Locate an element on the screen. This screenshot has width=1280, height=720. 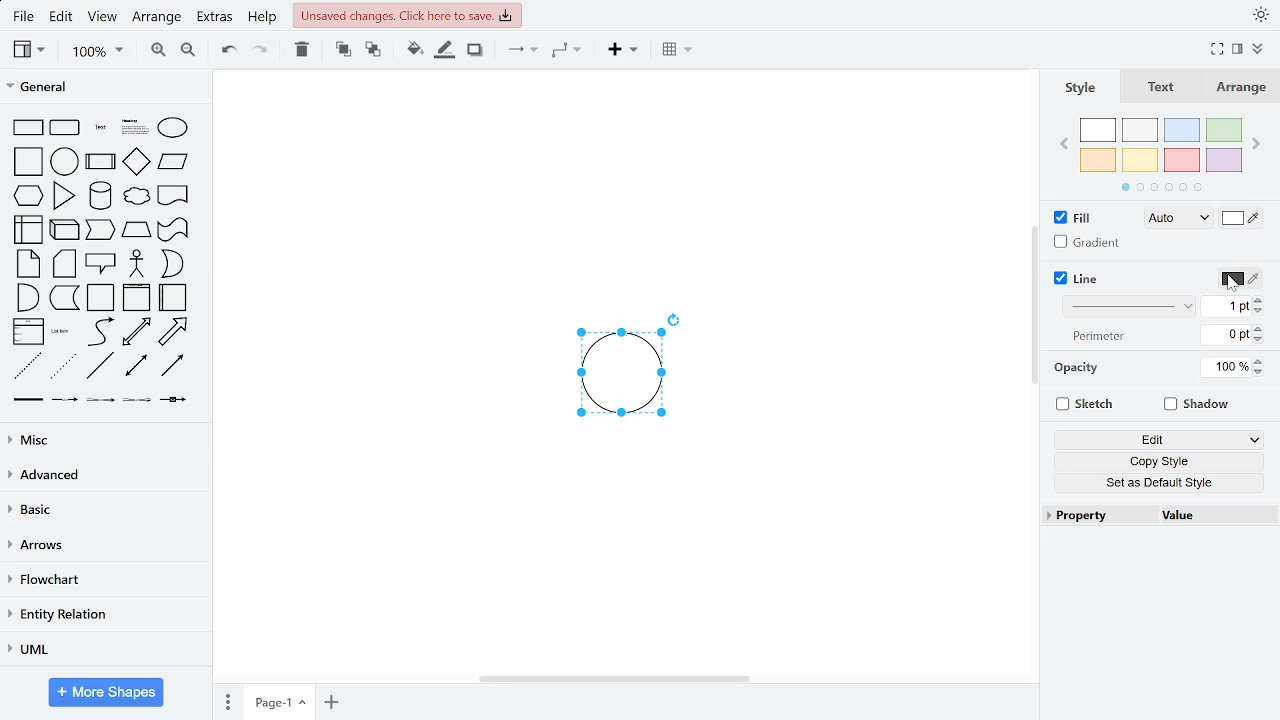
cursor is located at coordinates (1234, 285).